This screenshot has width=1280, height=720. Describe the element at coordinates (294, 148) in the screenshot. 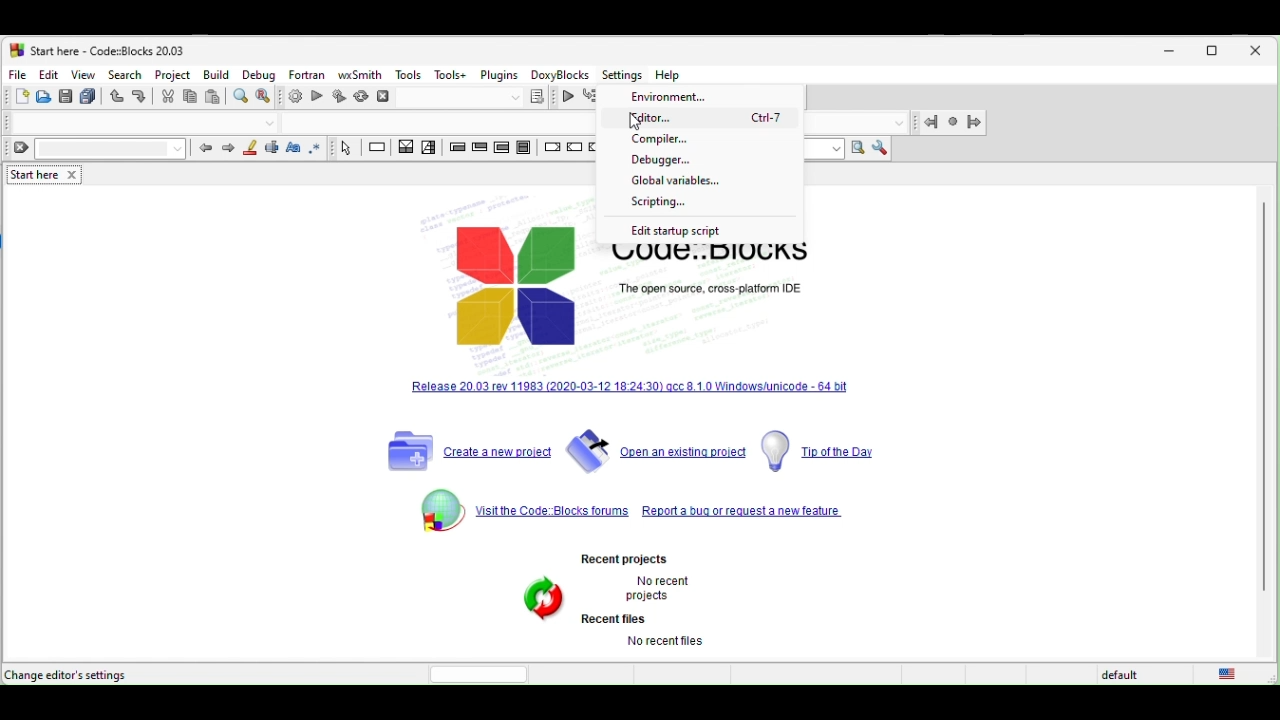

I see `match case` at that location.